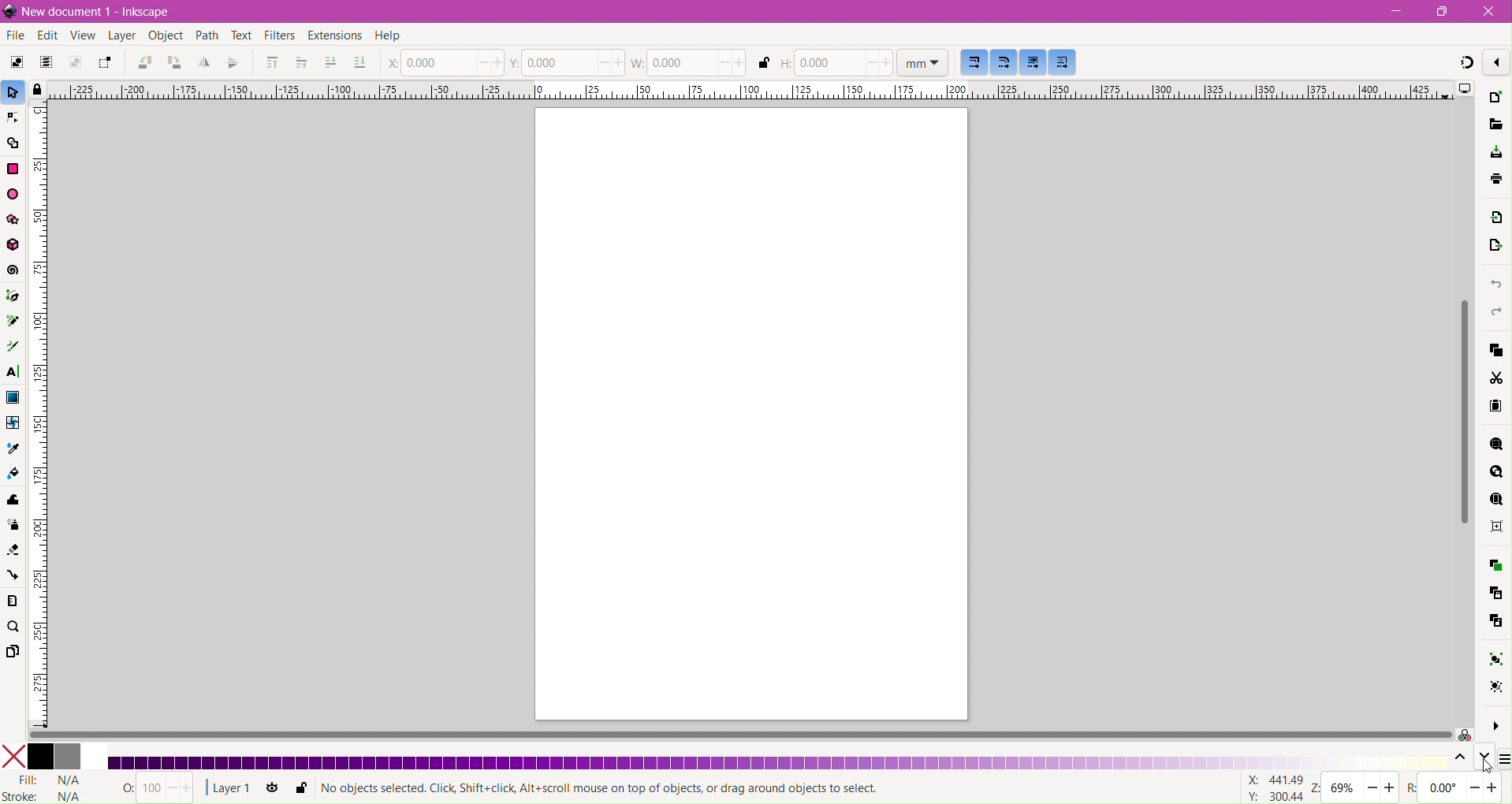 This screenshot has width=1512, height=804. I want to click on Set the Width of the document, so click(690, 62).